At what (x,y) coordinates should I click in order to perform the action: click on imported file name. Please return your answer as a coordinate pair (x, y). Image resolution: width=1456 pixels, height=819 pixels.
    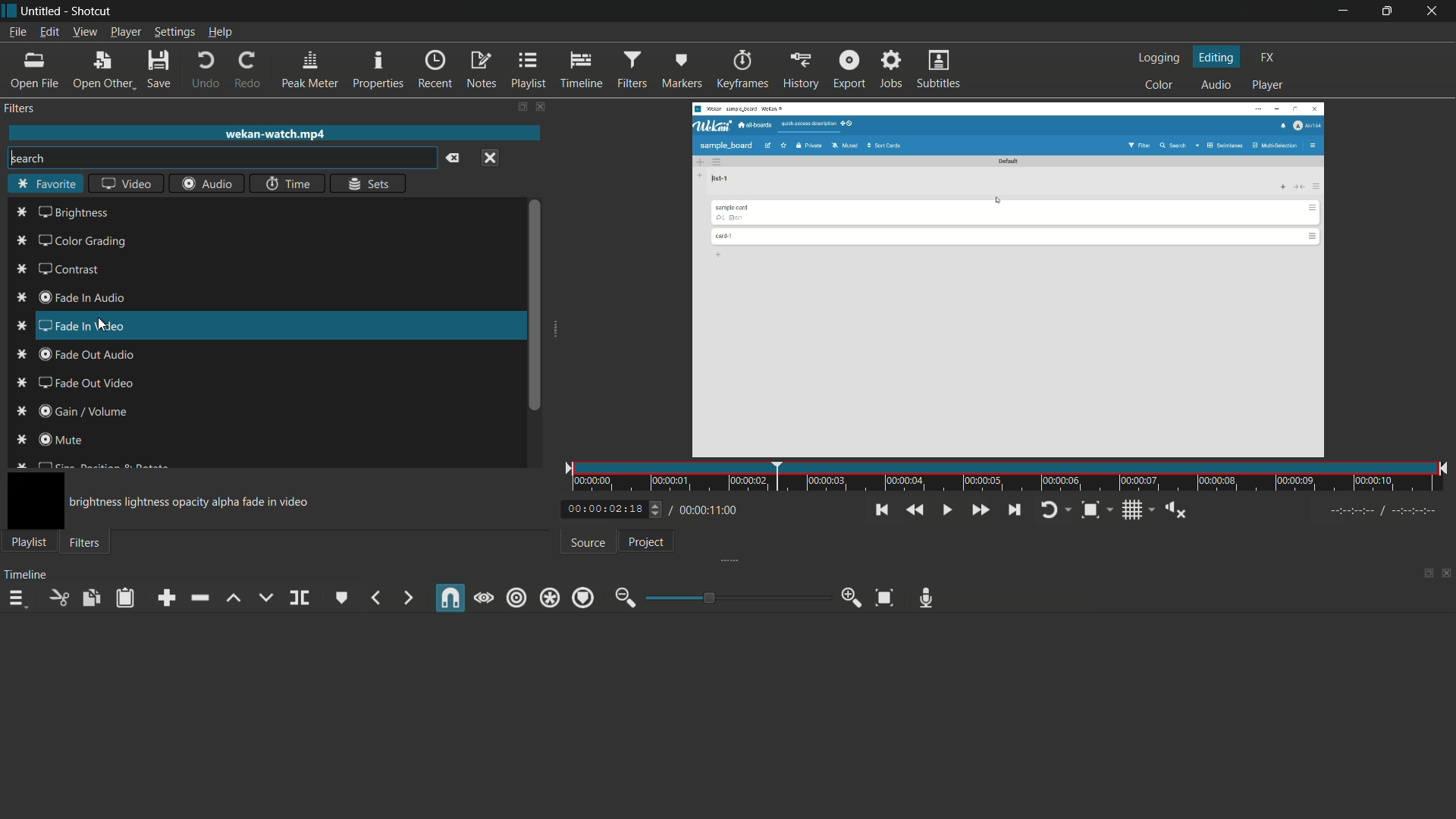
    Looking at the image, I should click on (275, 134).